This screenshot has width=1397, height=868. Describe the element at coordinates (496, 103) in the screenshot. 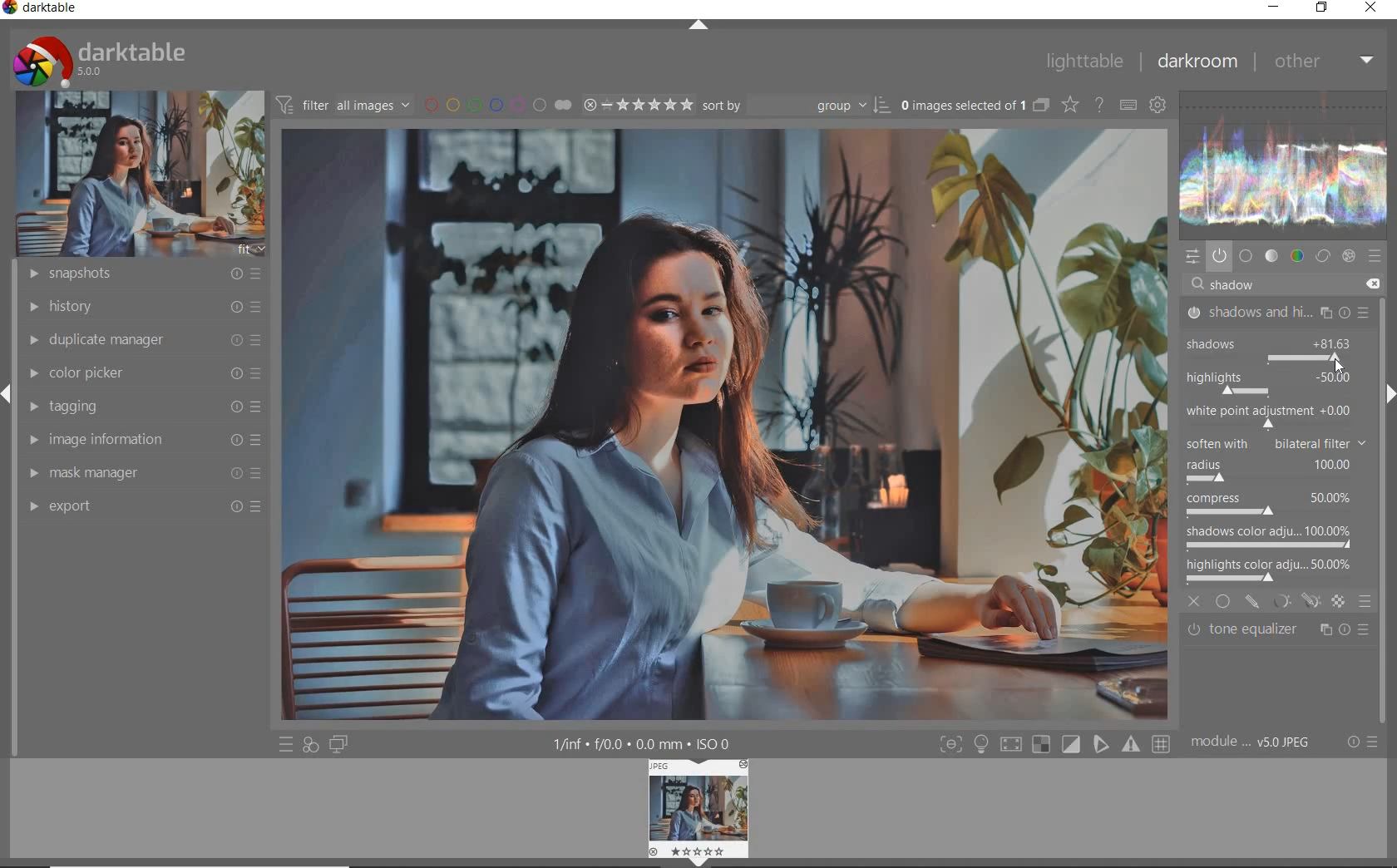

I see `filter by image color label` at that location.